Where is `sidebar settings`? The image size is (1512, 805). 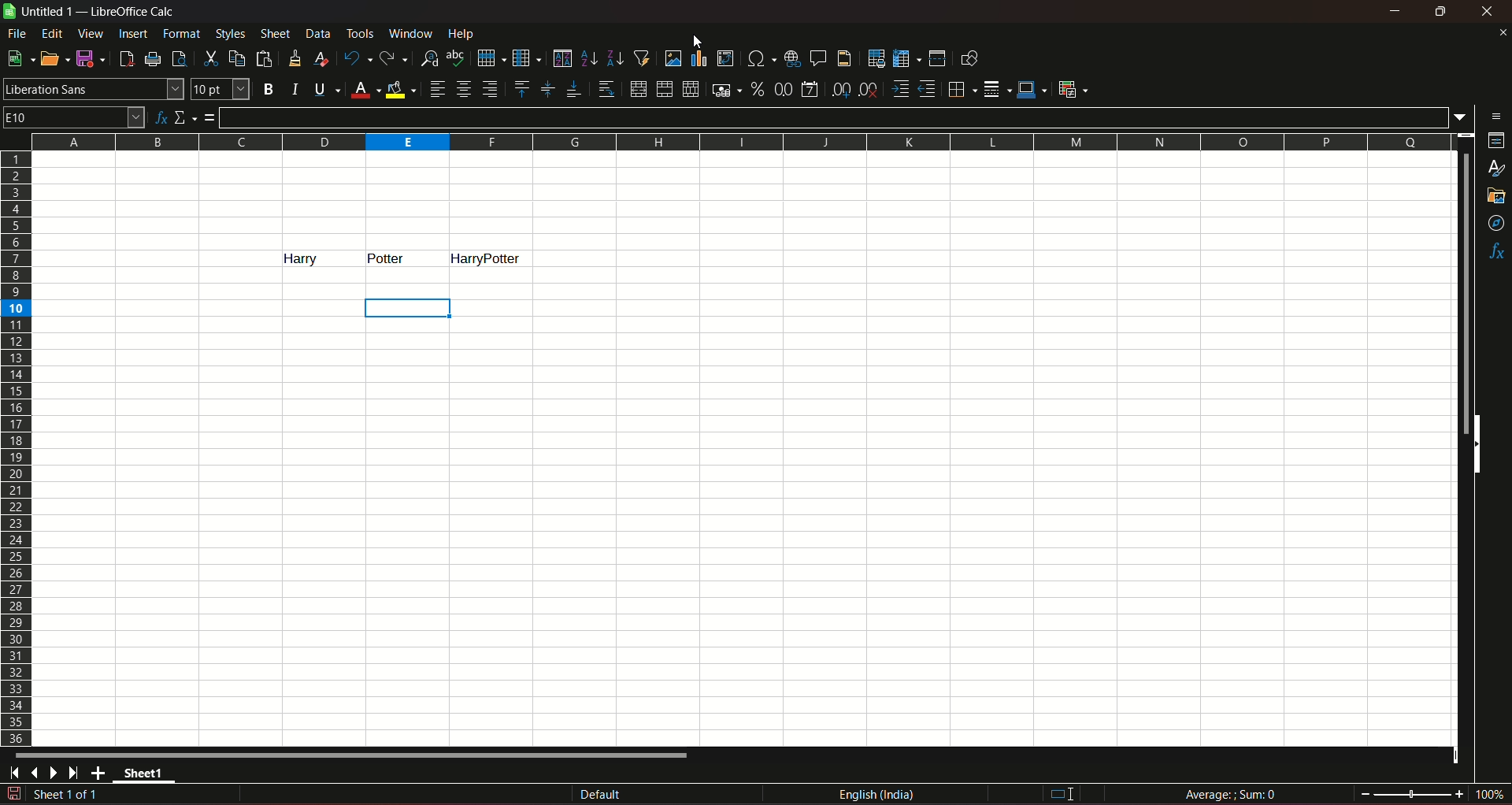
sidebar settings is located at coordinates (1497, 115).